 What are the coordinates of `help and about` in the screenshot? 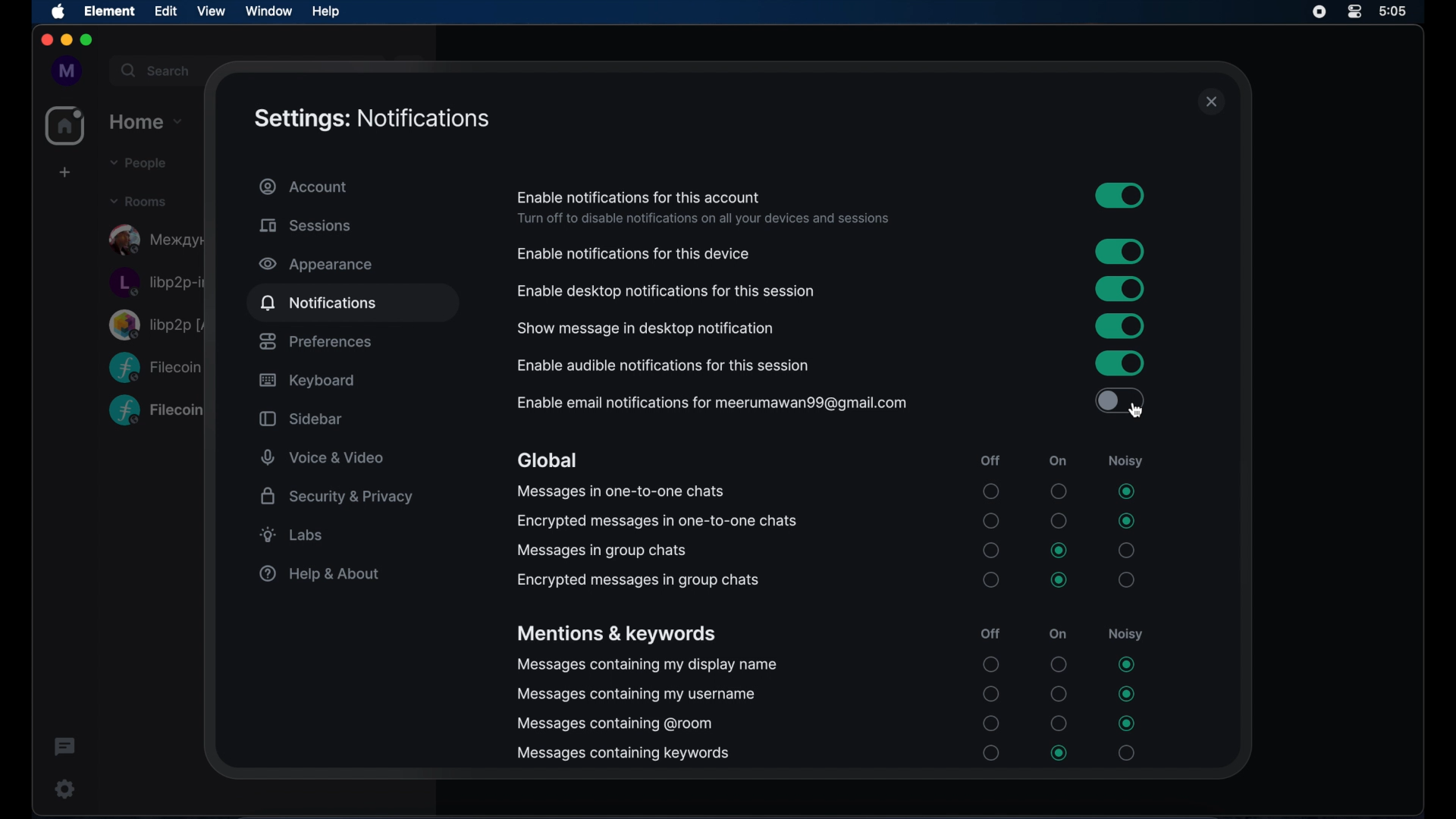 It's located at (318, 573).